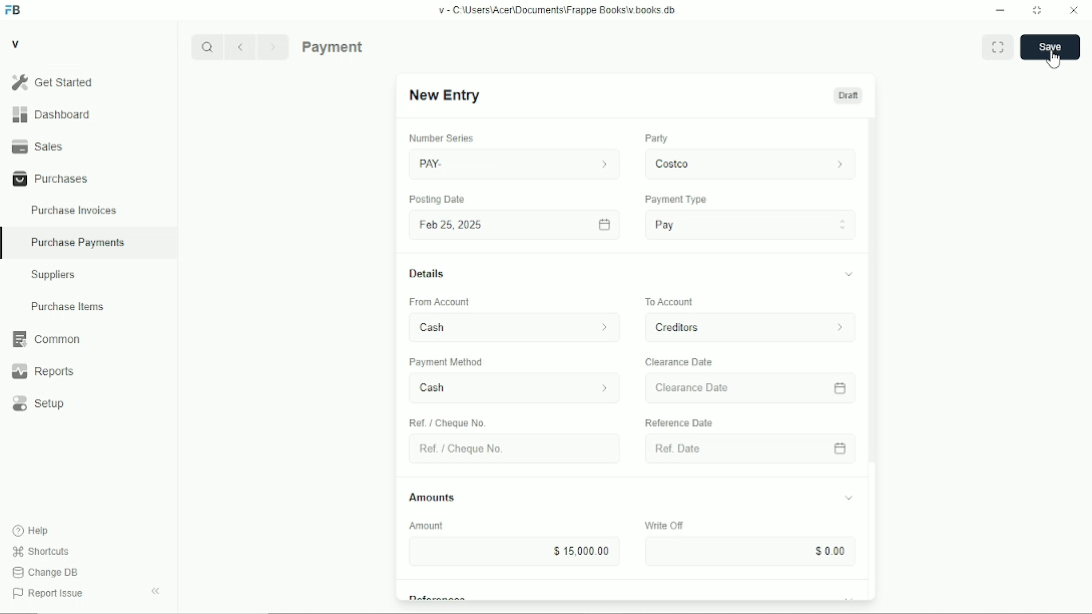 The image size is (1092, 614). Describe the element at coordinates (656, 138) in the screenshot. I see `Party` at that location.